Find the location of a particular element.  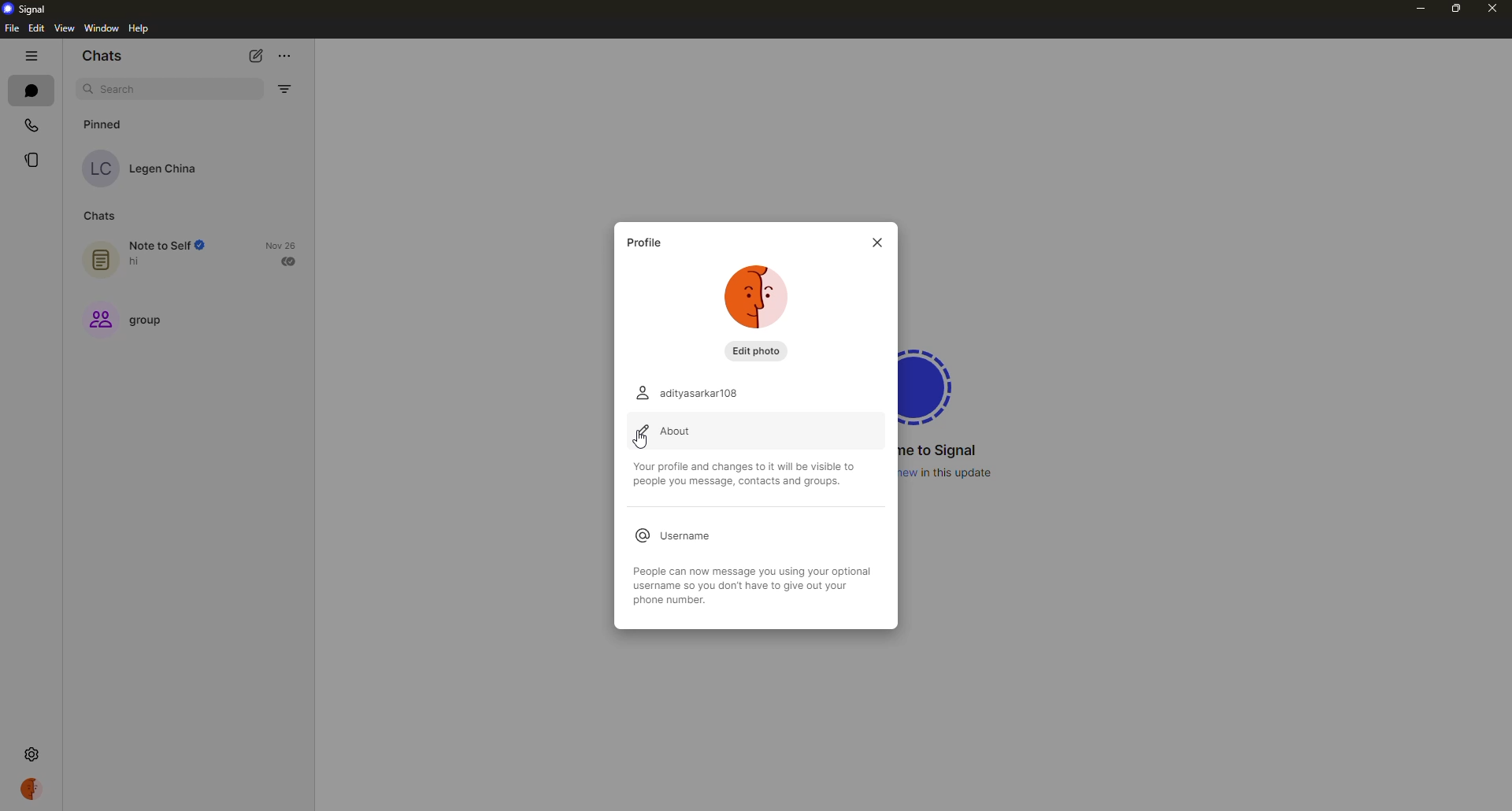

settings is located at coordinates (31, 753).